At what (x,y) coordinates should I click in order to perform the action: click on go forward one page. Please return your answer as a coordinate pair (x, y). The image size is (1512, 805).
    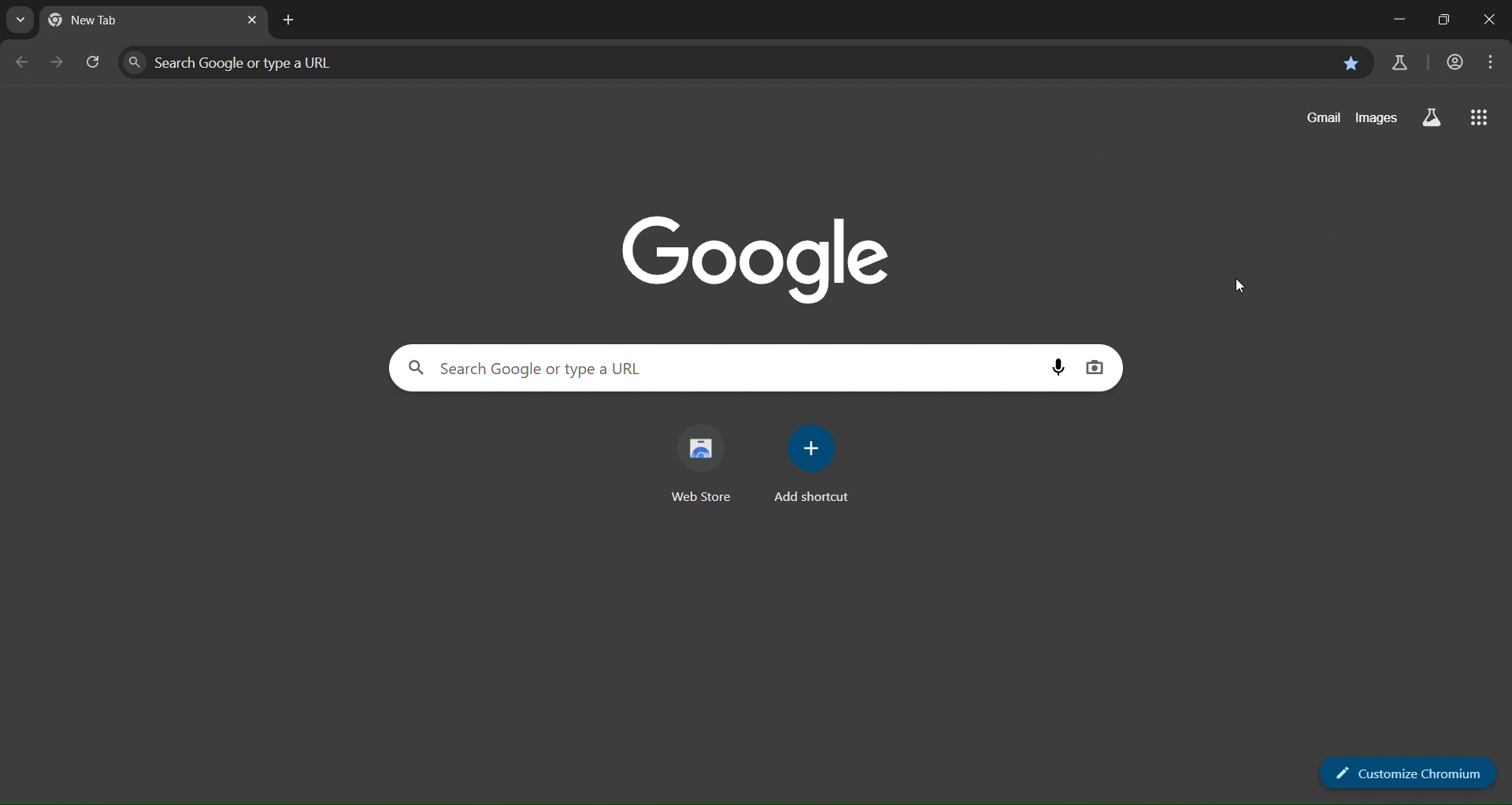
    Looking at the image, I should click on (59, 63).